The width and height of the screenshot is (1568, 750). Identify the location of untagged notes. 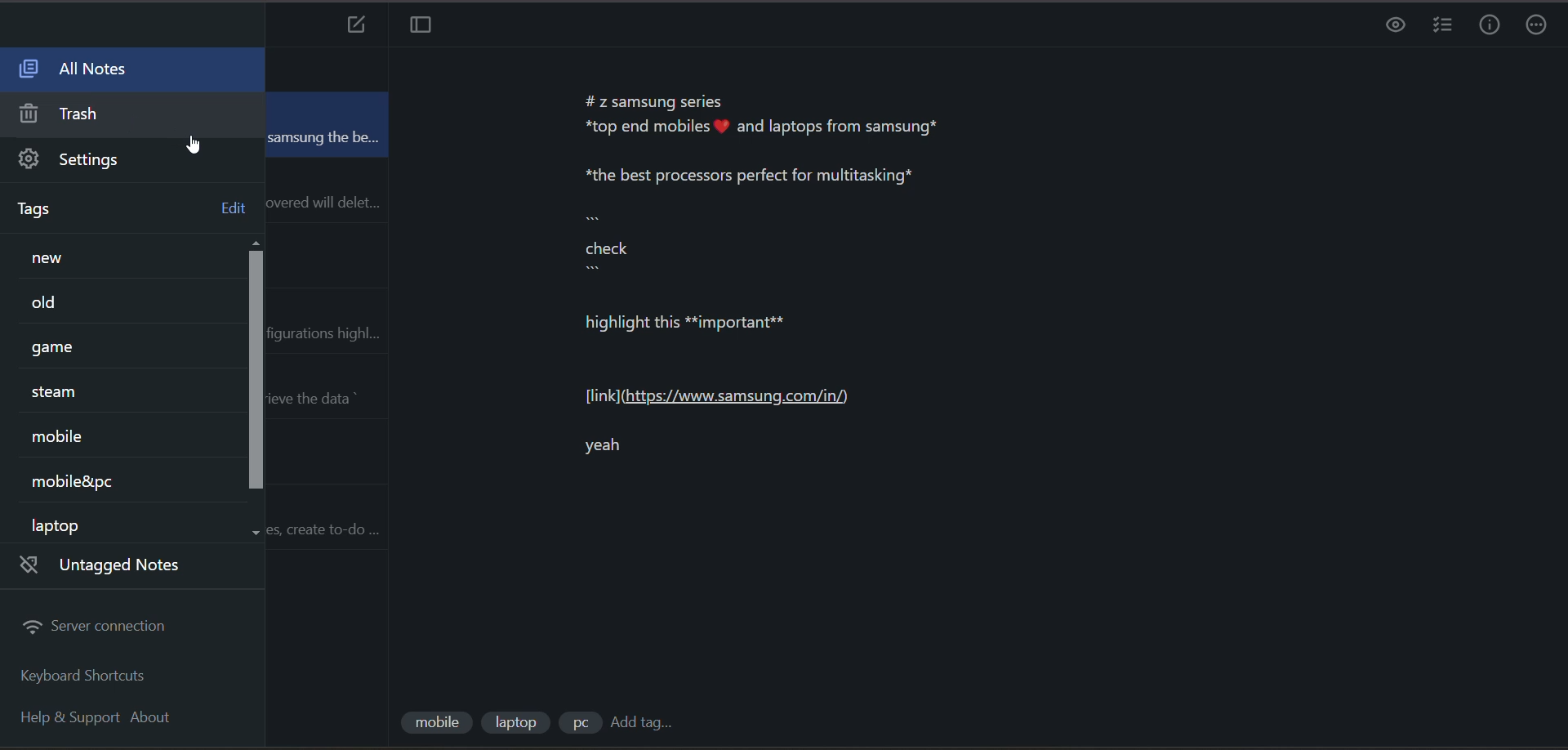
(116, 569).